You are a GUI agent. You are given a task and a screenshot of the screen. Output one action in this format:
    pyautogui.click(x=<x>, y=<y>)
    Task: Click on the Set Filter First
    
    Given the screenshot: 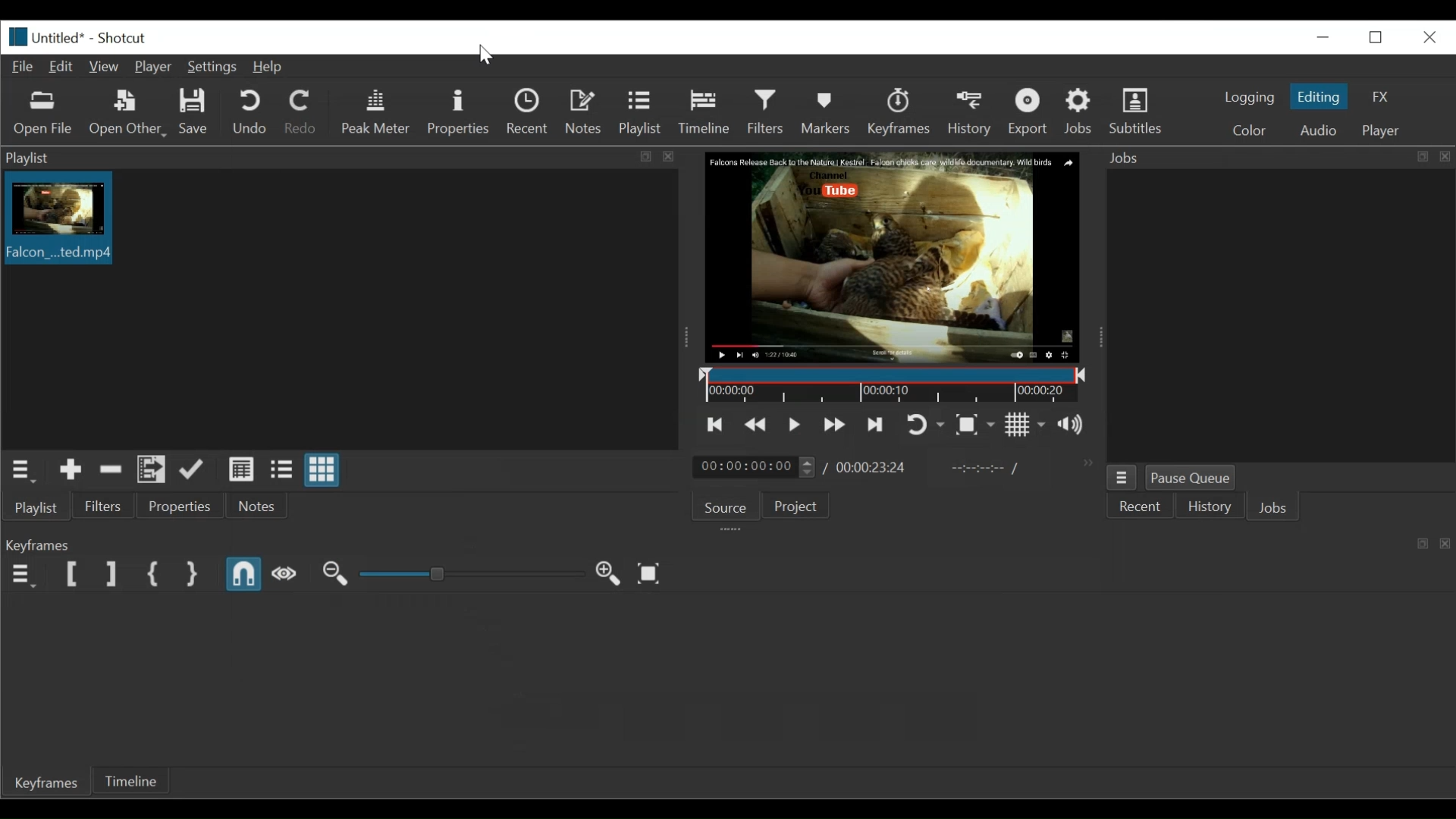 What is the action you would take?
    pyautogui.click(x=72, y=574)
    